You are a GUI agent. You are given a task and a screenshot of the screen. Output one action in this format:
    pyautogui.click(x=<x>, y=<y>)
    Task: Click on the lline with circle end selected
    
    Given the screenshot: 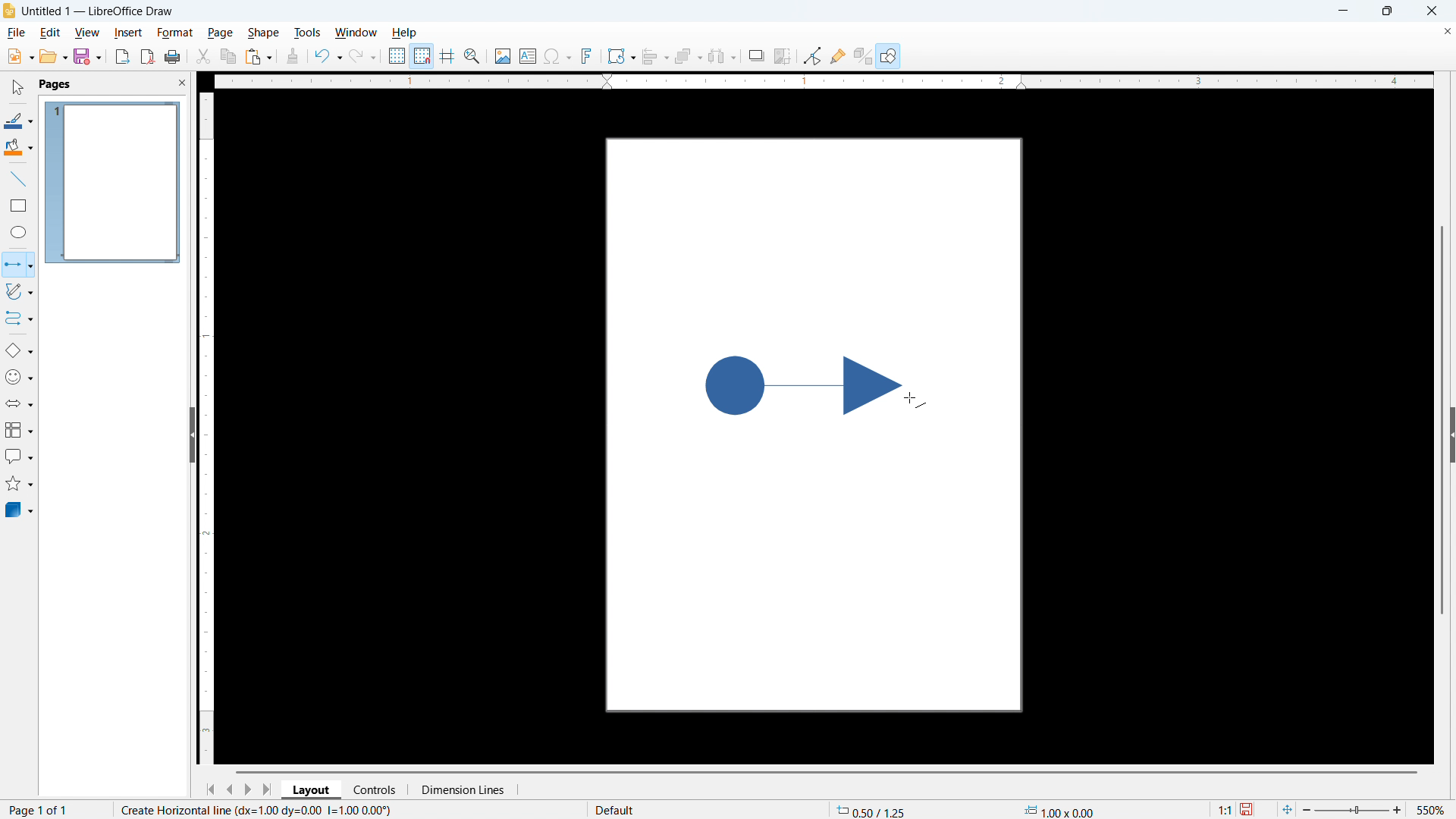 What is the action you would take?
    pyautogui.click(x=17, y=265)
    